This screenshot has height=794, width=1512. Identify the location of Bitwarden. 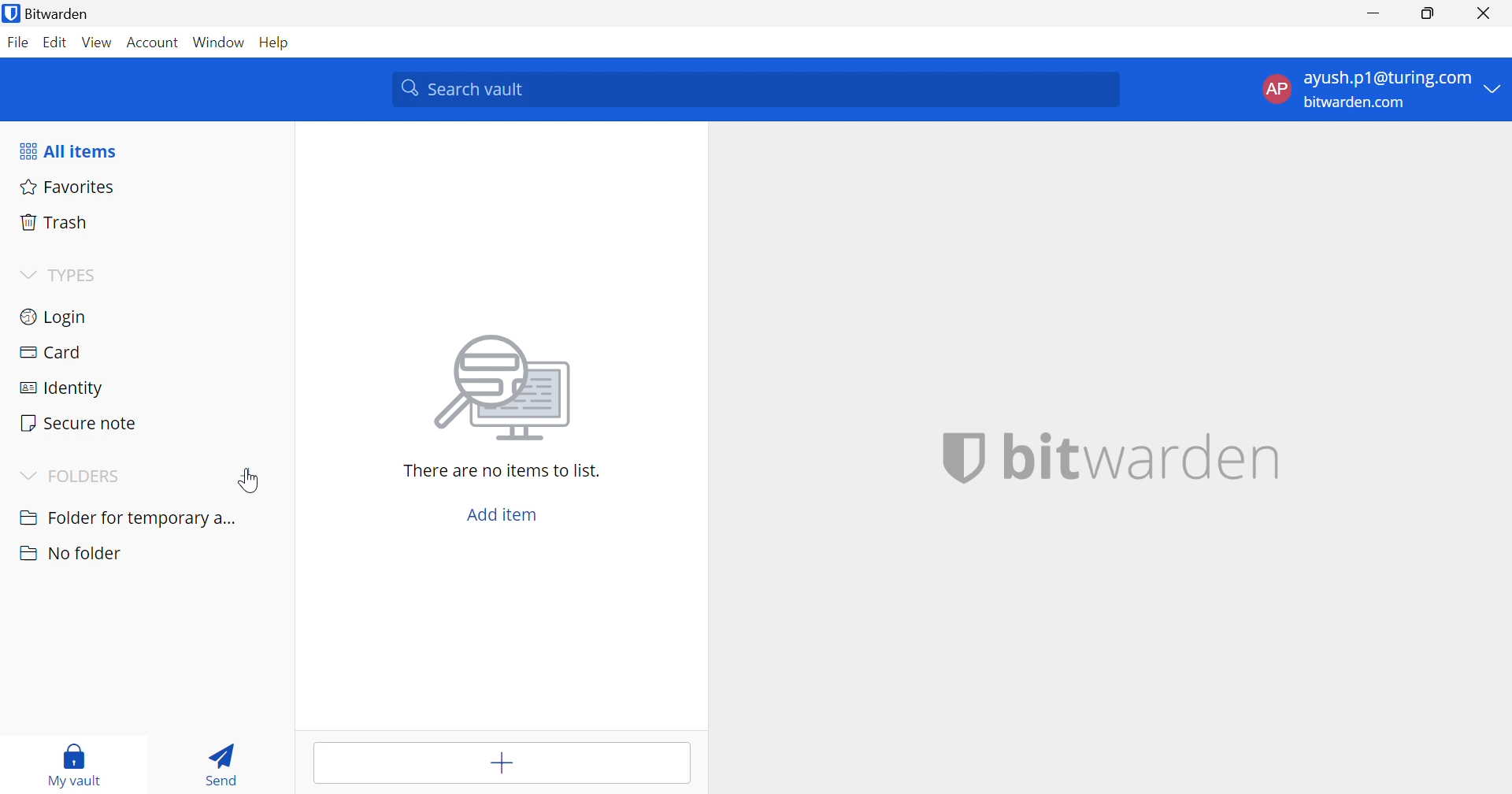
(50, 14).